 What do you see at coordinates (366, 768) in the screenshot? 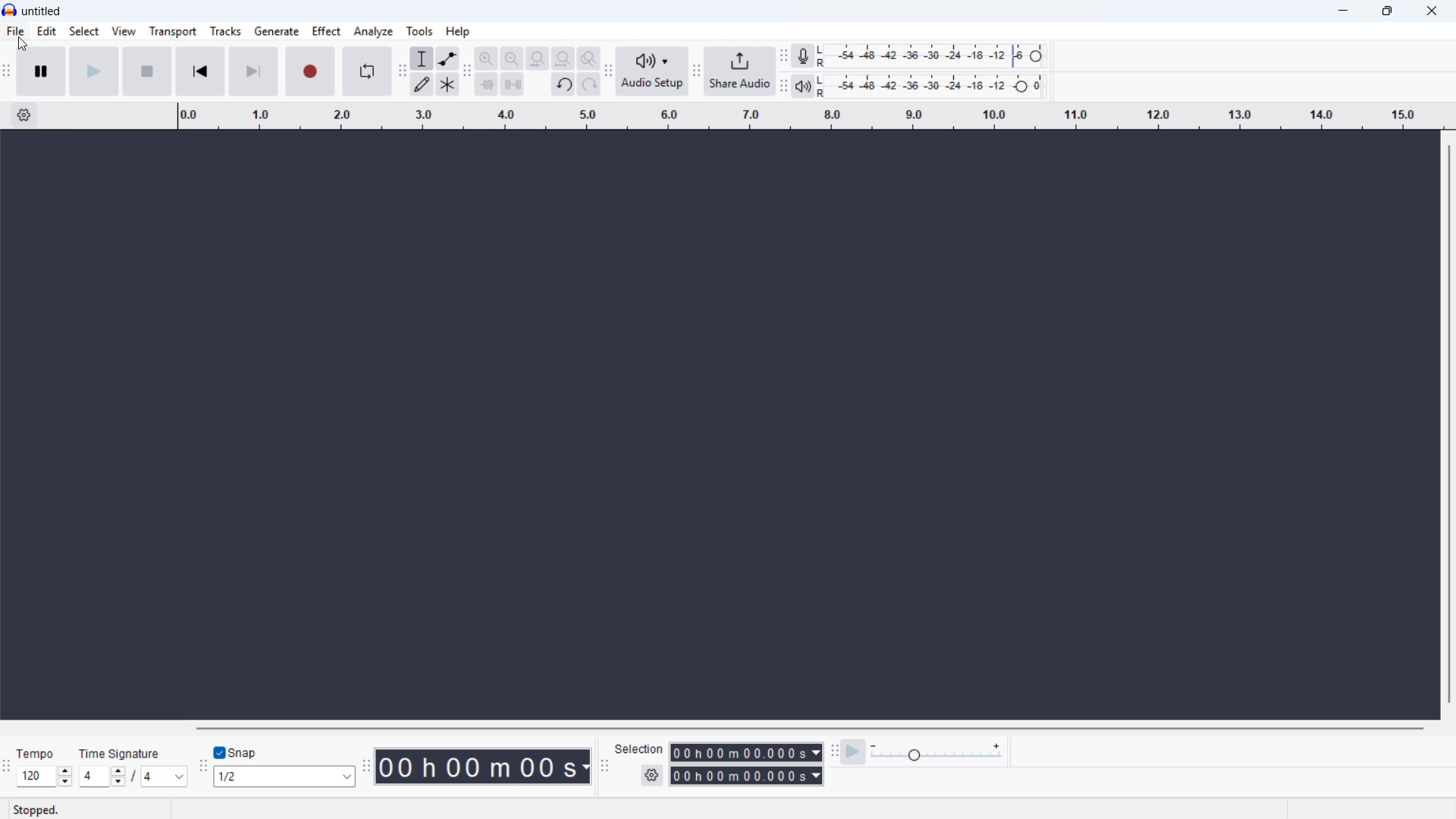
I see `Time toolbar ` at bounding box center [366, 768].